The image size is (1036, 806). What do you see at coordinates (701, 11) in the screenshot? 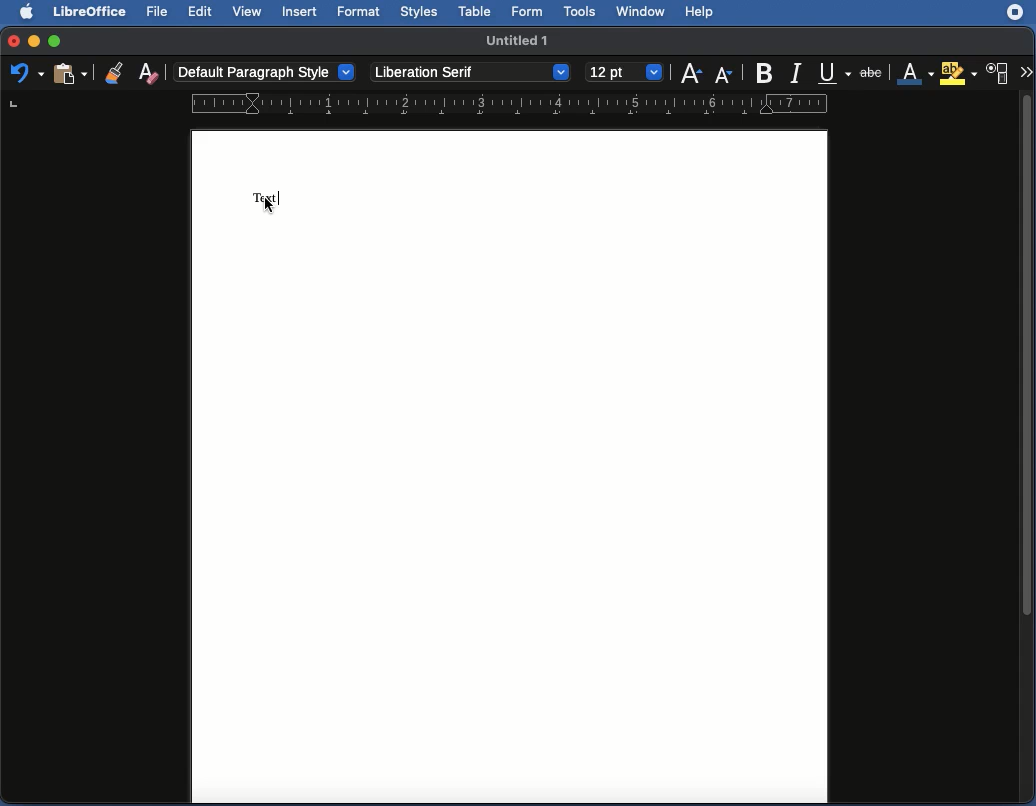
I see `Help` at bounding box center [701, 11].